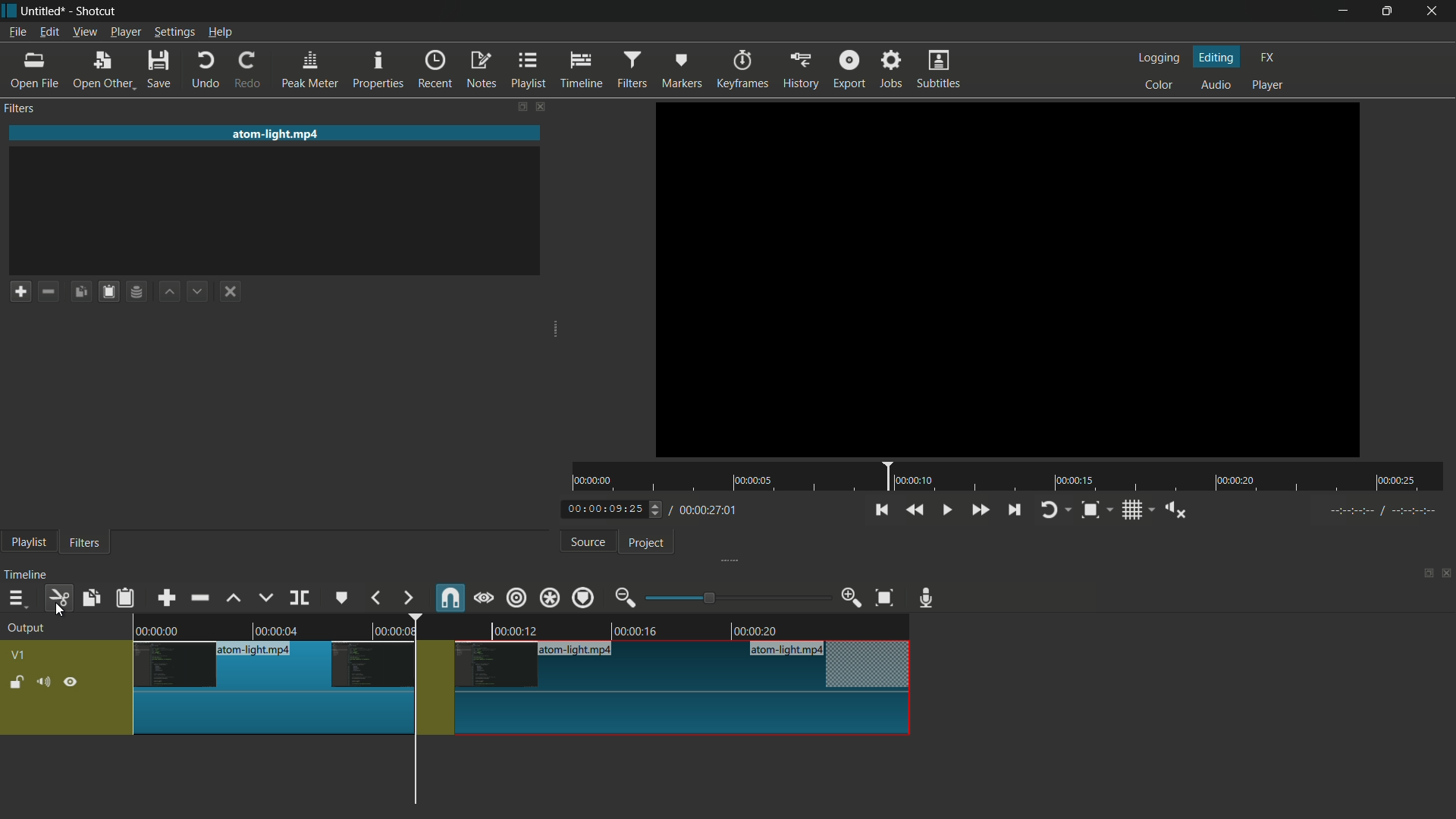  What do you see at coordinates (930, 598) in the screenshot?
I see `record audio` at bounding box center [930, 598].